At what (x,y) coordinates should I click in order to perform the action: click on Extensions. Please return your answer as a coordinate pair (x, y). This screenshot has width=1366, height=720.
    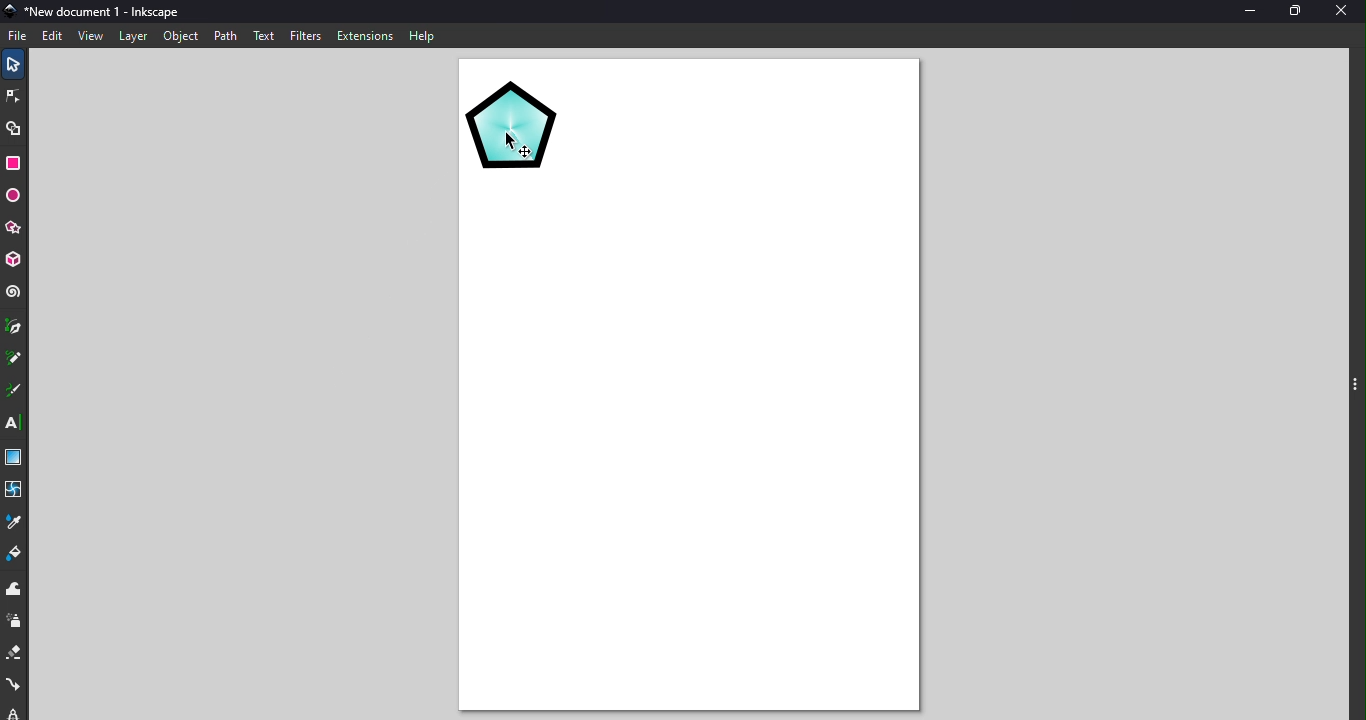
    Looking at the image, I should click on (367, 35).